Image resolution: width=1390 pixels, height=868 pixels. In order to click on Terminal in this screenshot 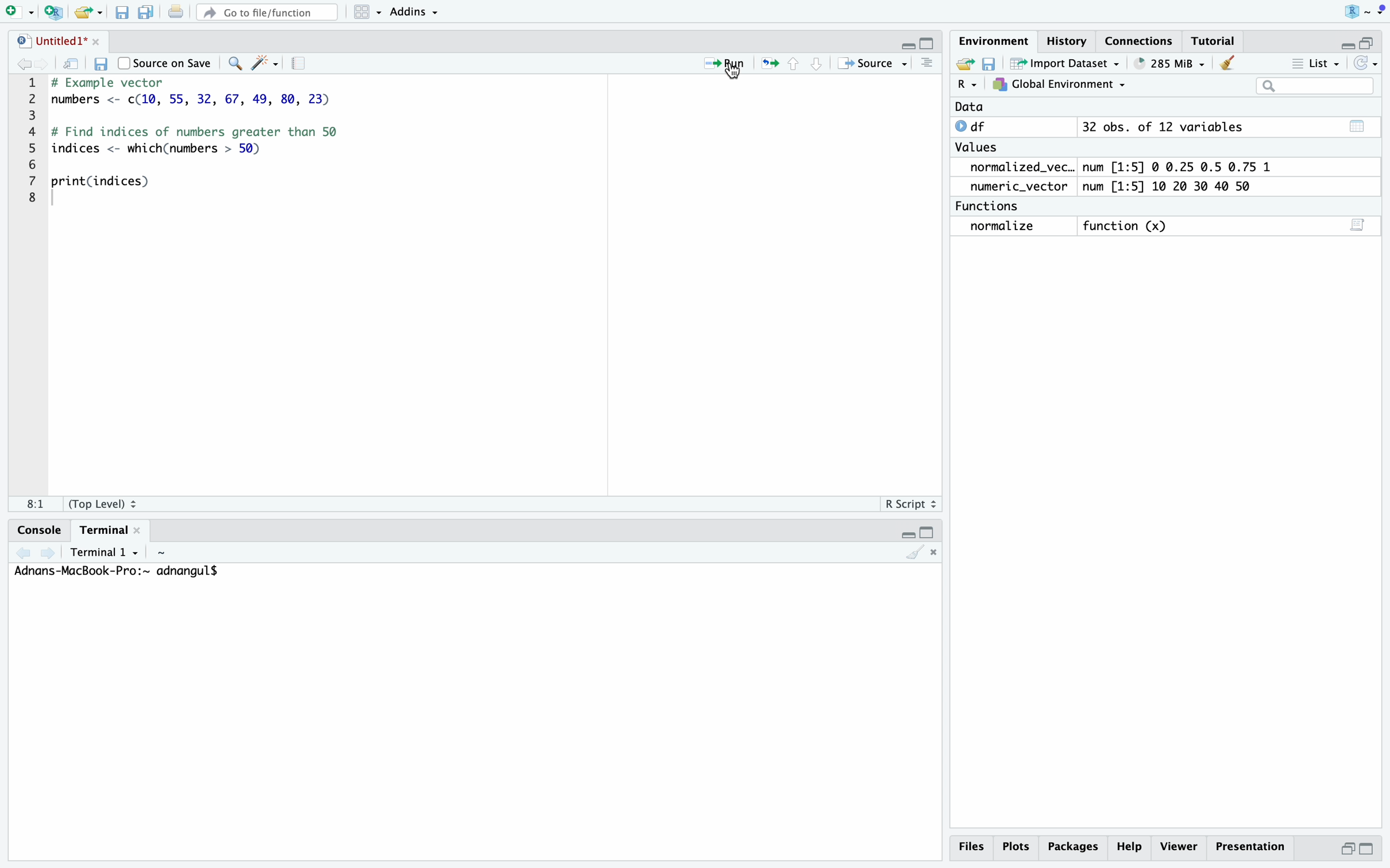, I will do `click(108, 531)`.